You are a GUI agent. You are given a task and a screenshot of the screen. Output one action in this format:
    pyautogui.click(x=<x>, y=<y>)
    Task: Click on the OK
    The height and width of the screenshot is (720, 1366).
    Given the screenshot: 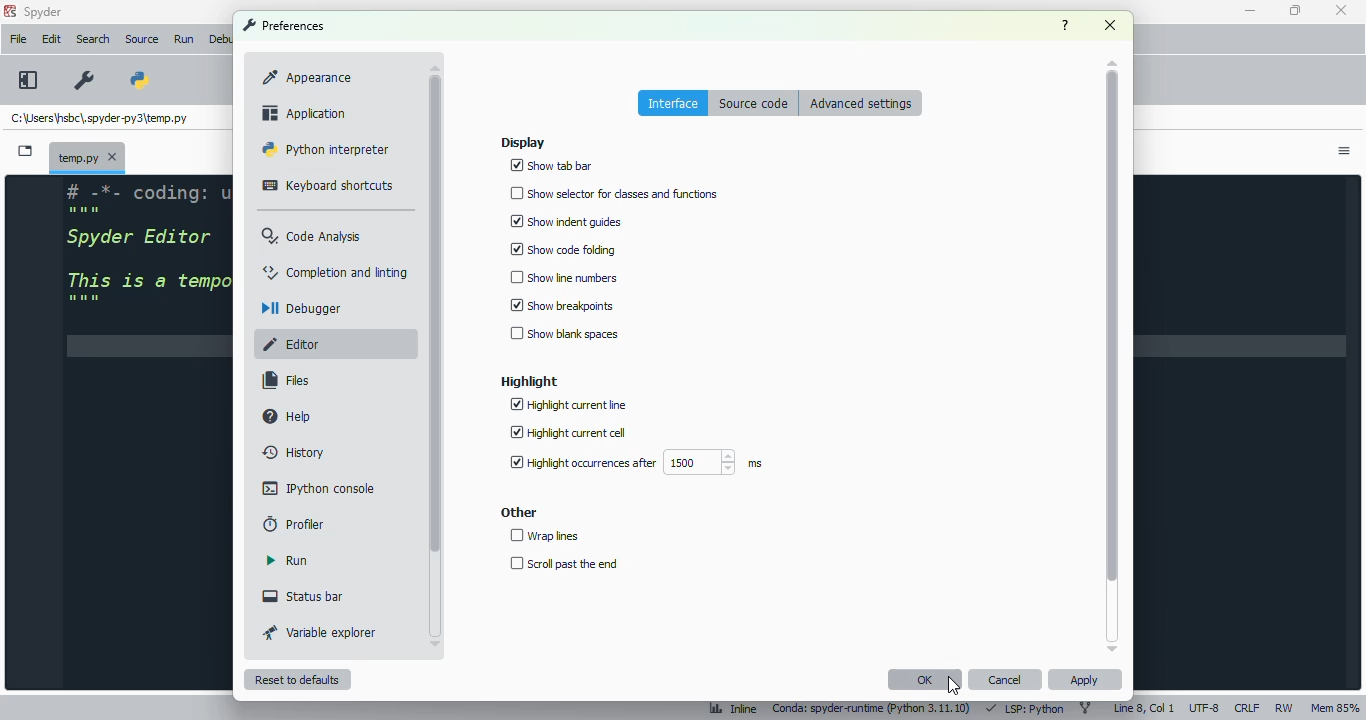 What is the action you would take?
    pyautogui.click(x=925, y=680)
    